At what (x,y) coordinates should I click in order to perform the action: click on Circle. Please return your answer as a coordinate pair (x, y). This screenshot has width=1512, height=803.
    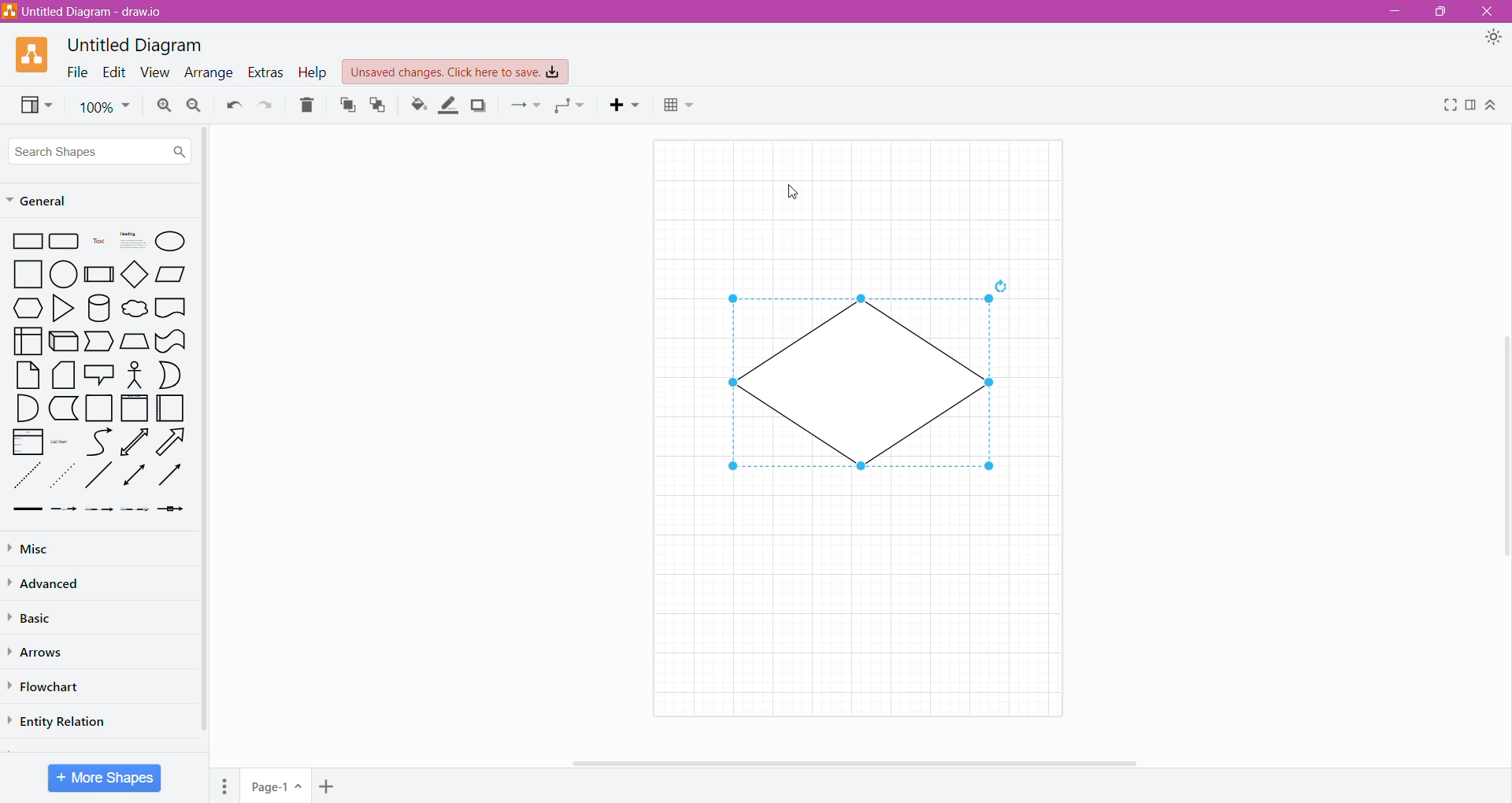
    Looking at the image, I should click on (65, 275).